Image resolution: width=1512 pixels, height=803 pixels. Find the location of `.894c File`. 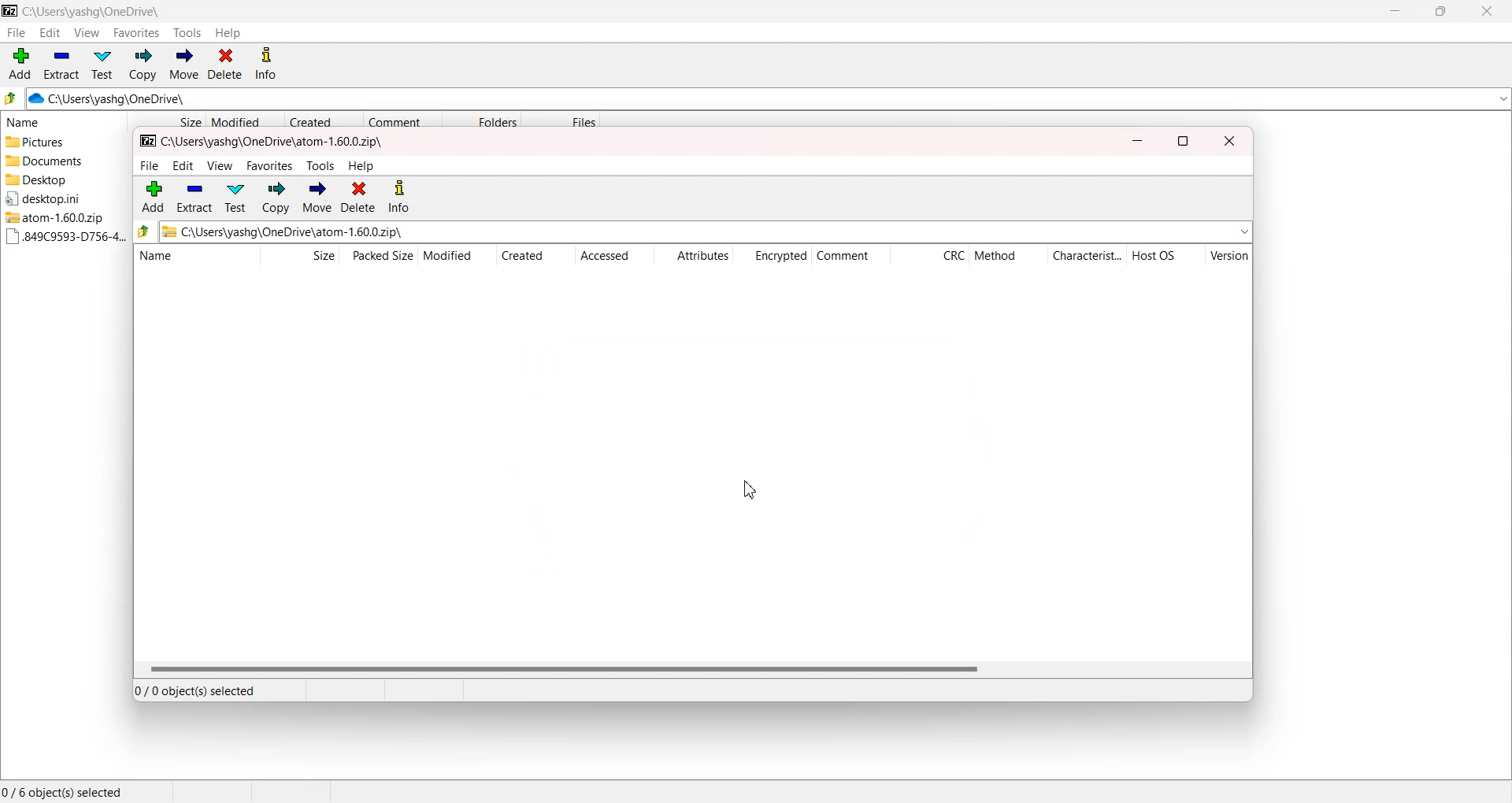

.894c File is located at coordinates (62, 237).